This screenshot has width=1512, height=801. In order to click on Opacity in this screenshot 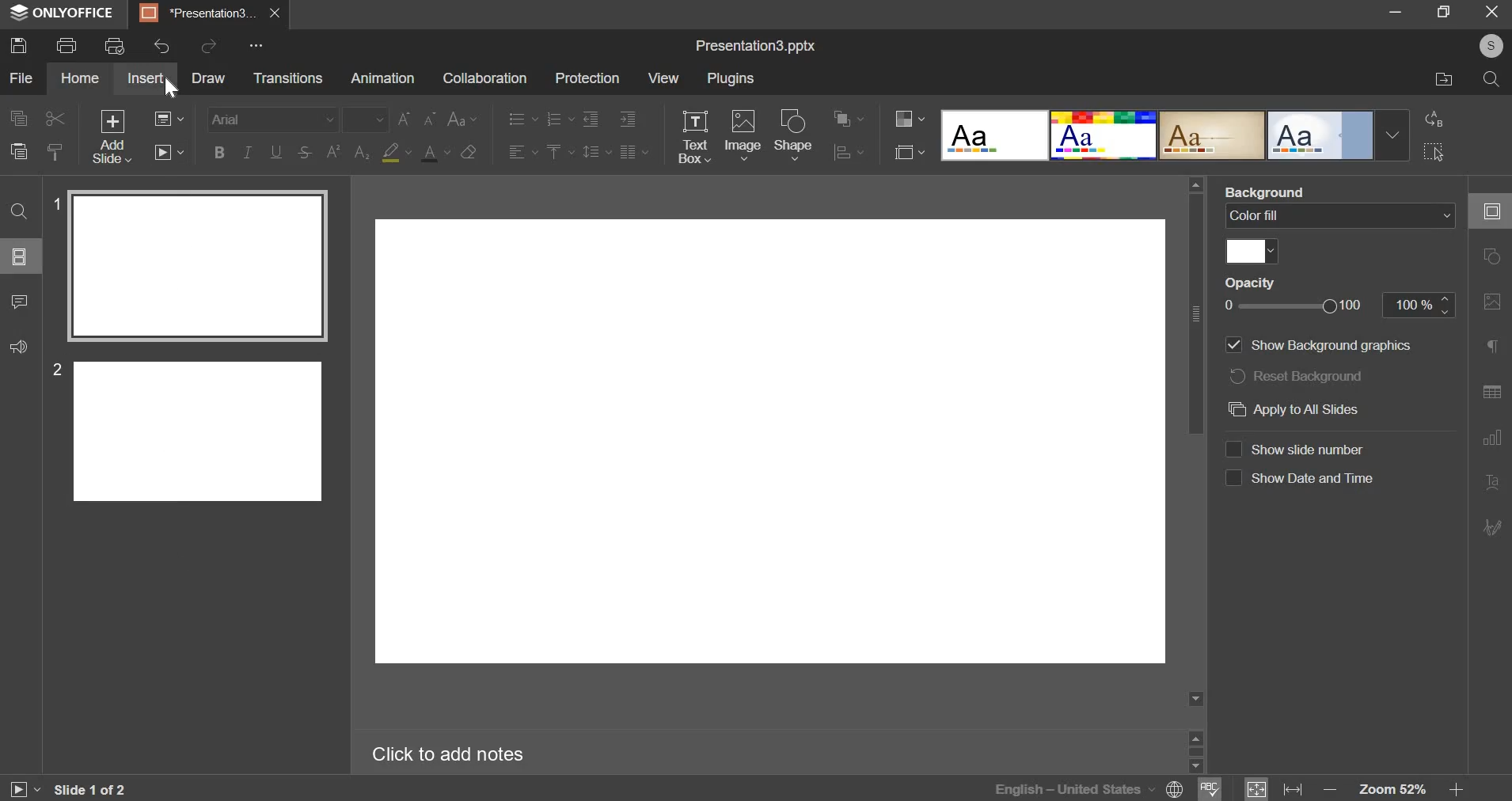, I will do `click(1250, 282)`.